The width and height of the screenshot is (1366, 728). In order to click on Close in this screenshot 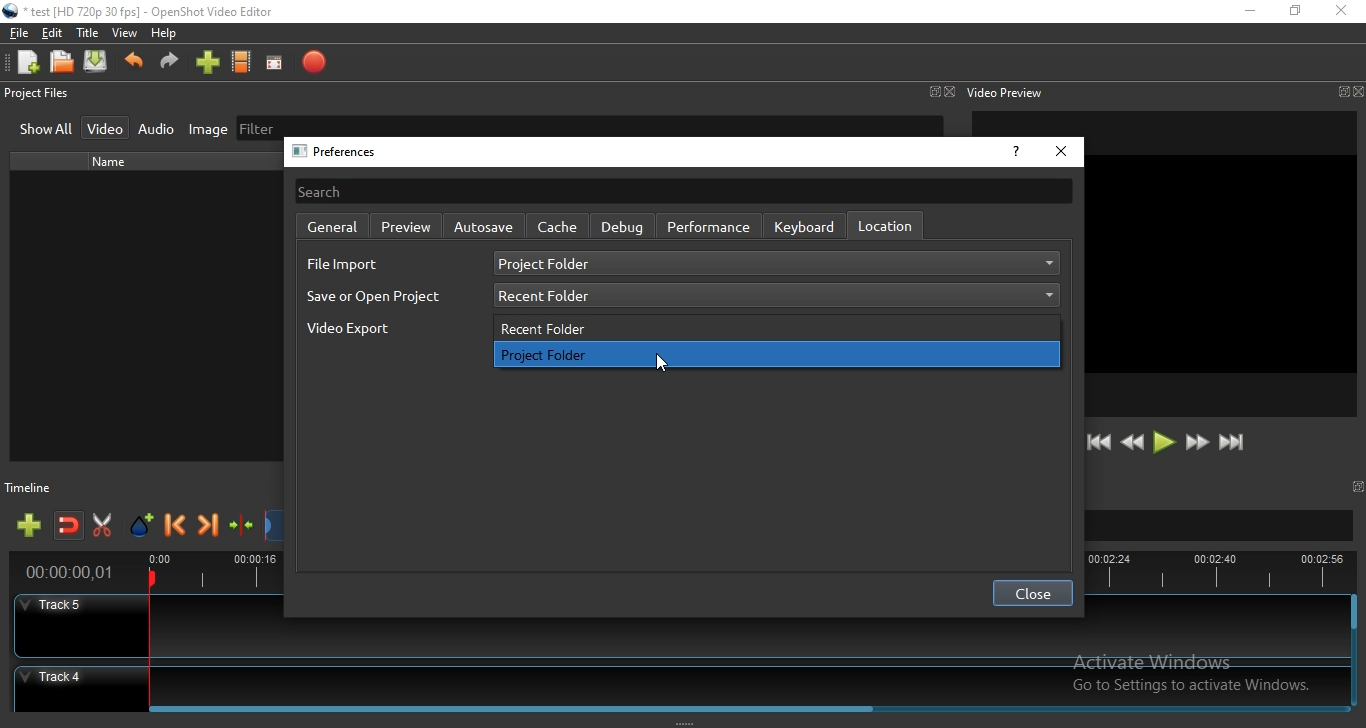, I will do `click(950, 92)`.